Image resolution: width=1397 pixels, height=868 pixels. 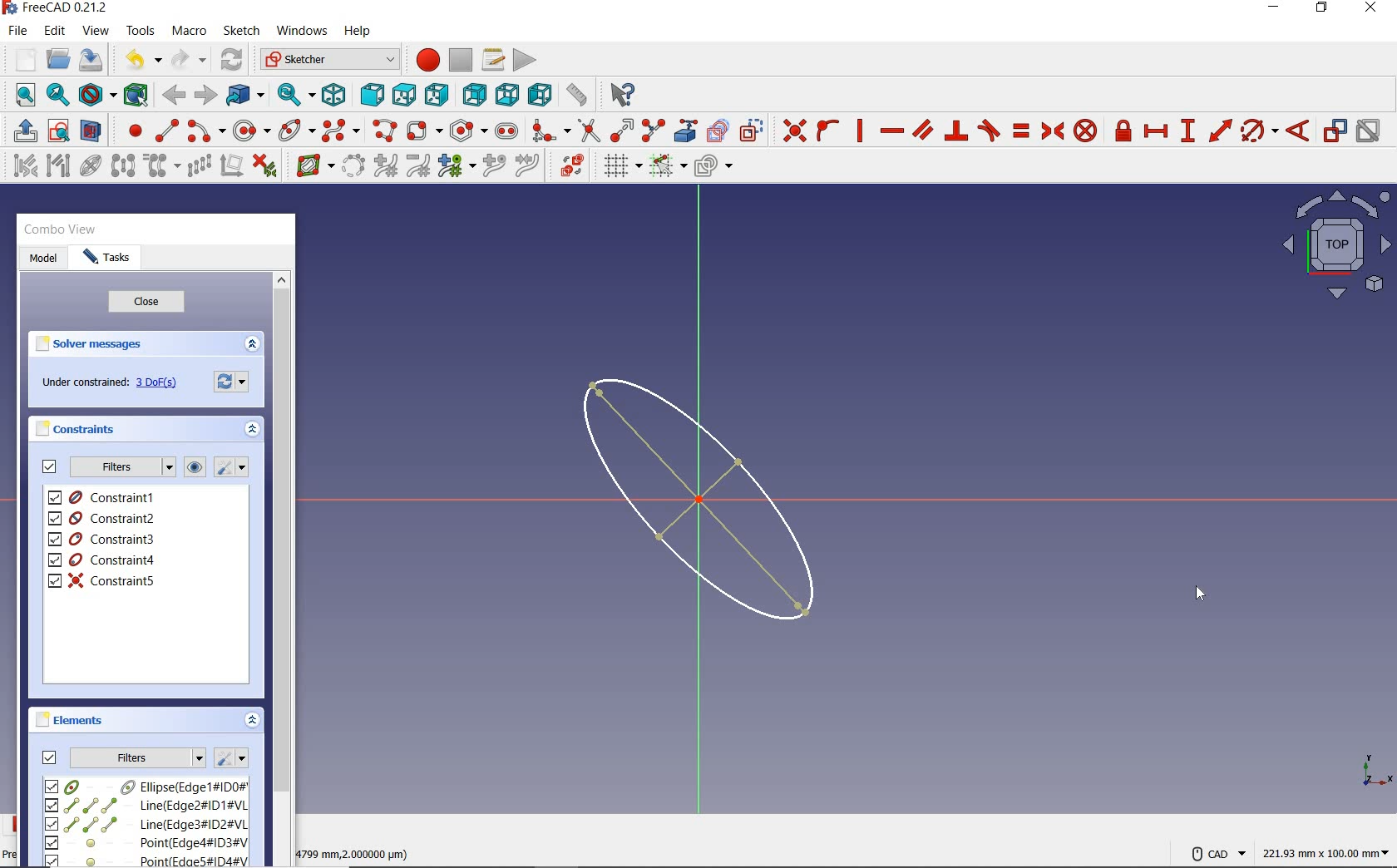 What do you see at coordinates (622, 129) in the screenshot?
I see `extend edge` at bounding box center [622, 129].